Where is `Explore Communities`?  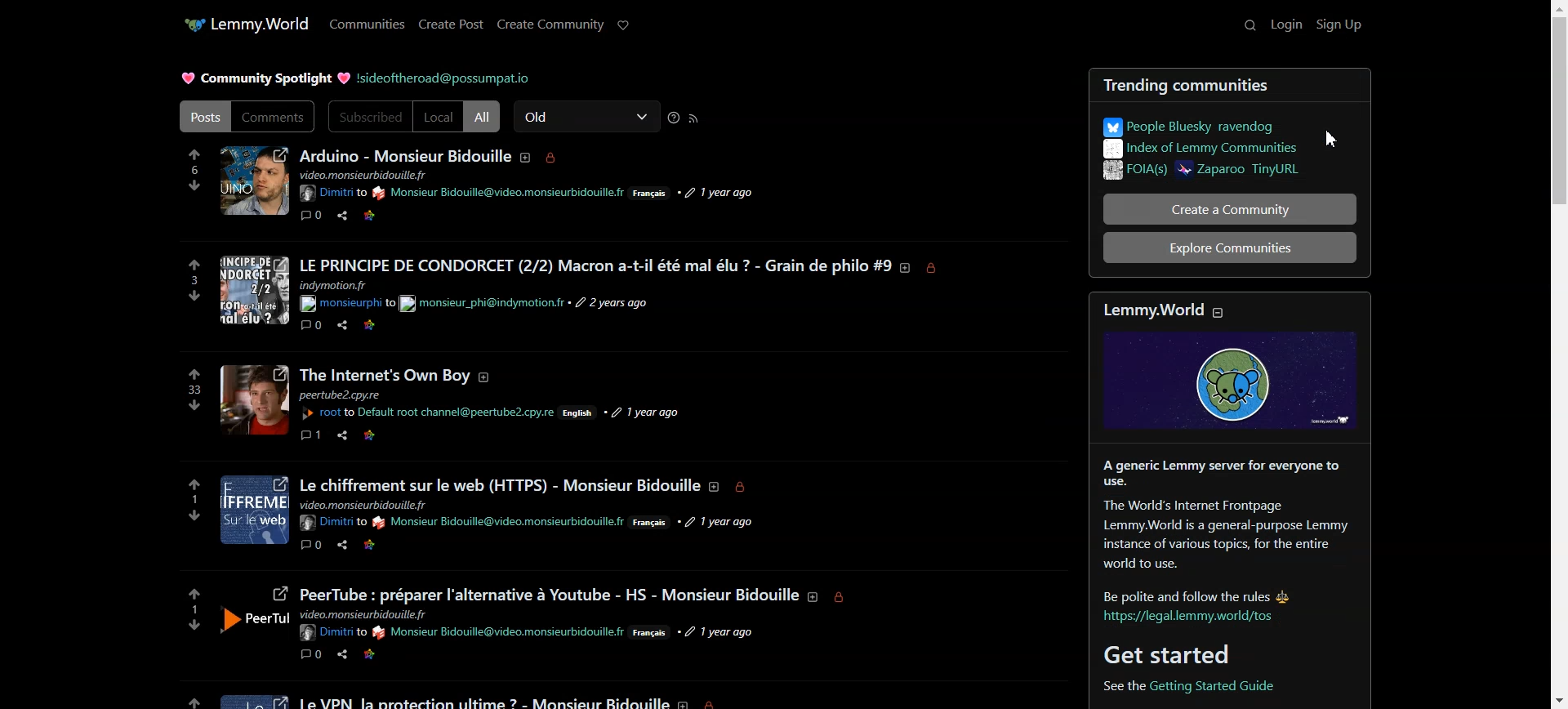
Explore Communities is located at coordinates (1231, 248).